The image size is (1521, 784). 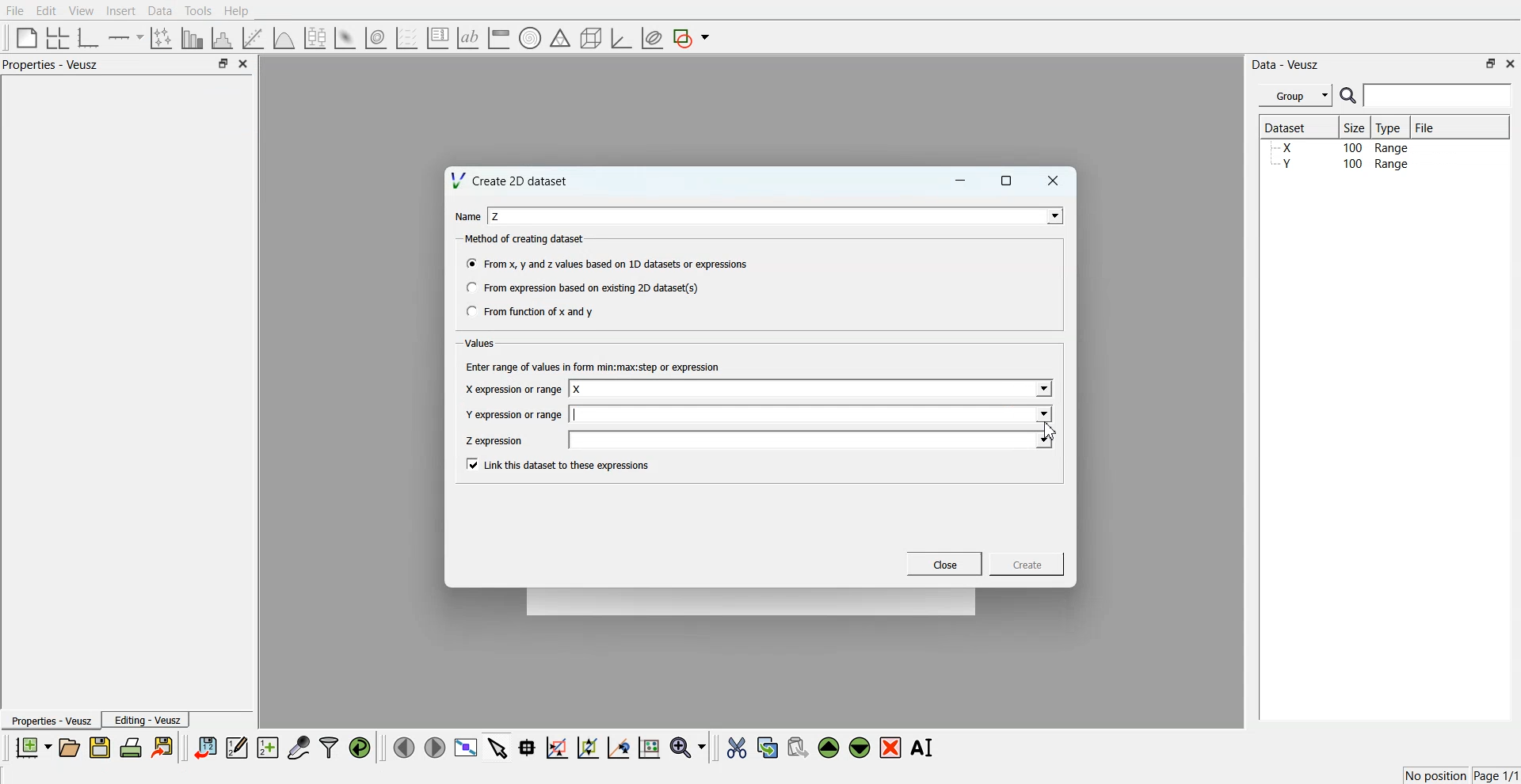 I want to click on Plot bar chart, so click(x=192, y=38).